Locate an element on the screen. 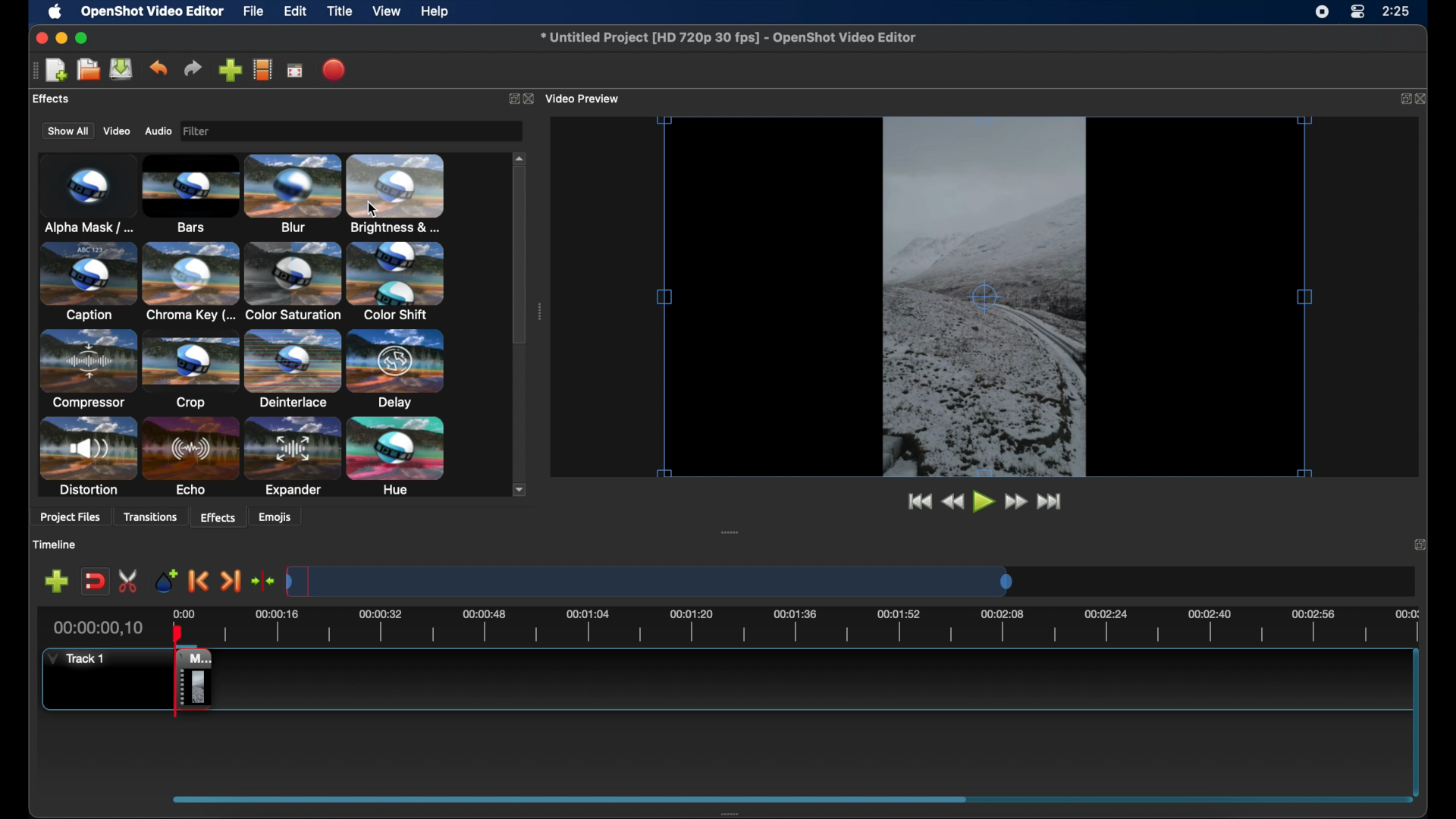 This screenshot has height=819, width=1456. add marker is located at coordinates (165, 579).